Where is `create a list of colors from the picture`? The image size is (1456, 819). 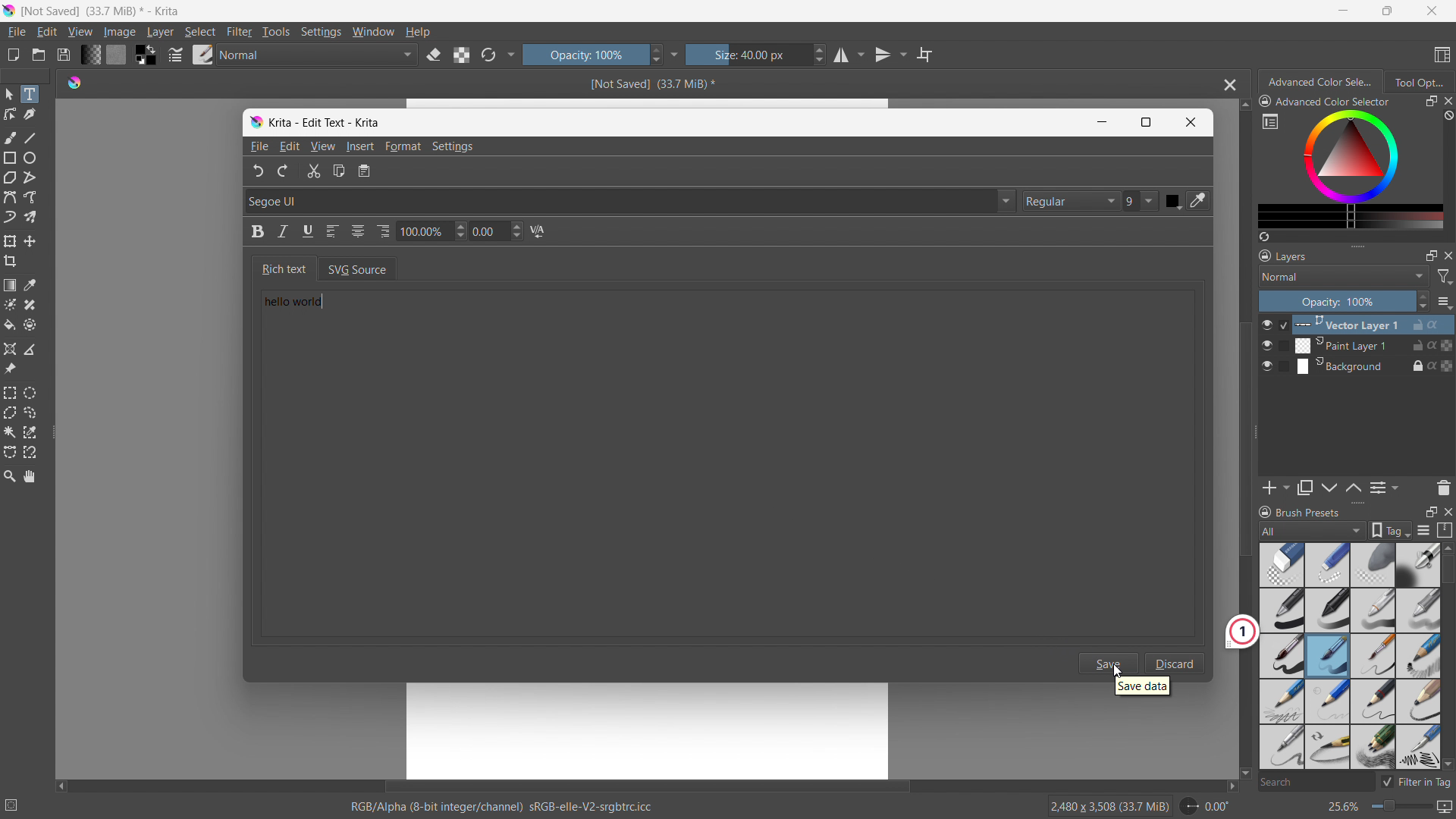
create a list of colors from the picture is located at coordinates (1264, 237).